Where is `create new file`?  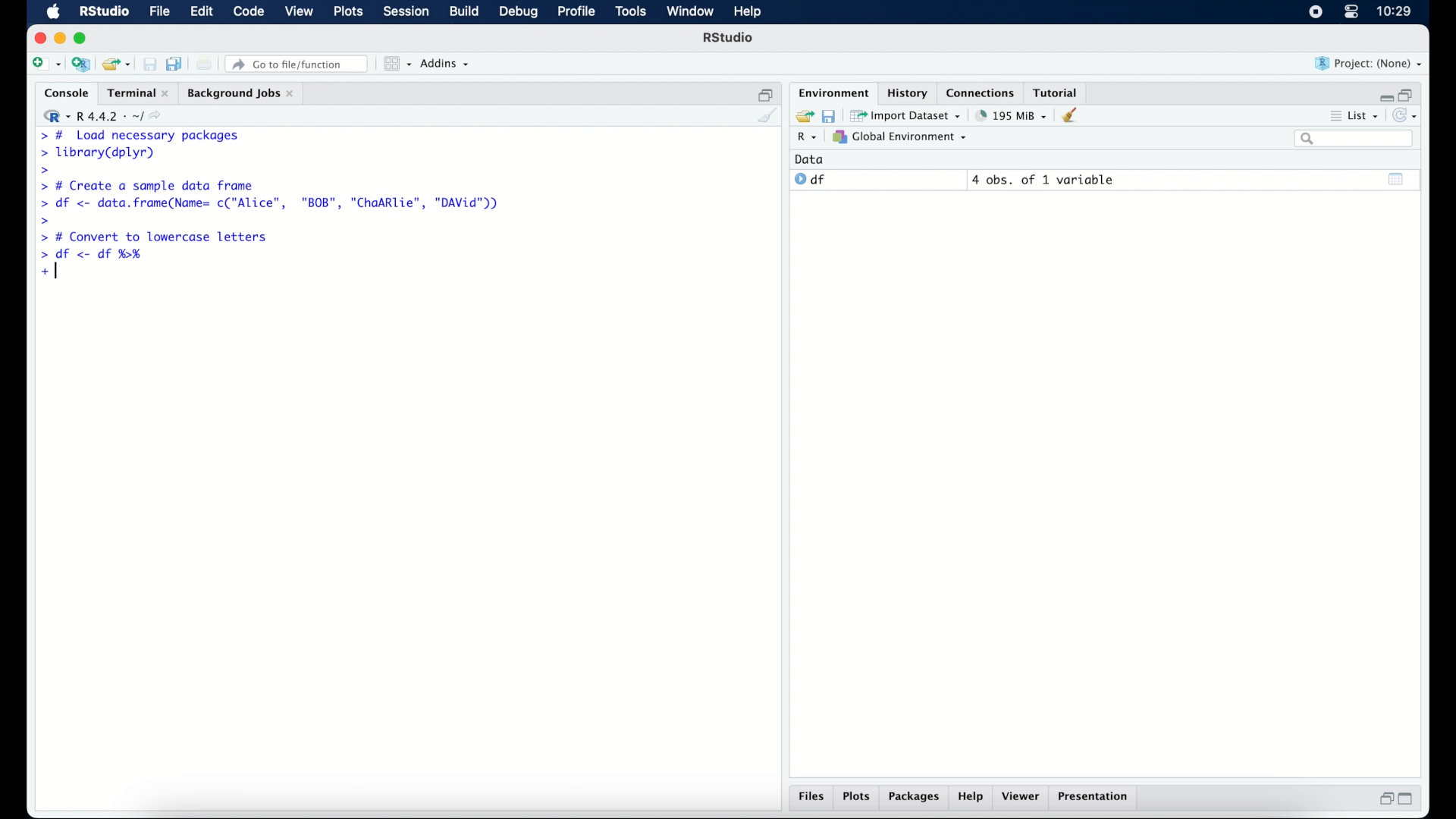
create new file is located at coordinates (45, 65).